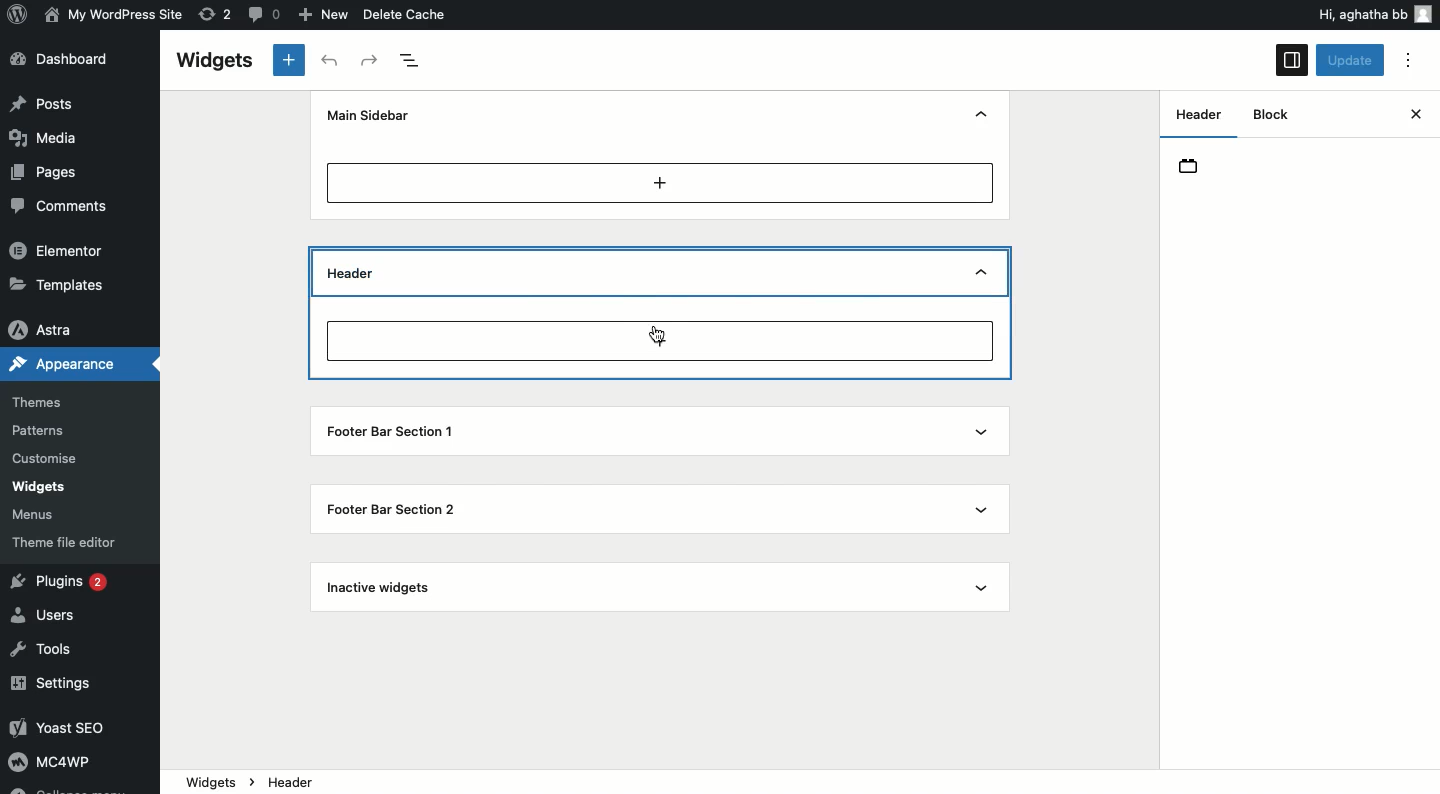 The height and width of the screenshot is (794, 1440). Describe the element at coordinates (67, 59) in the screenshot. I see `Dashboard` at that location.